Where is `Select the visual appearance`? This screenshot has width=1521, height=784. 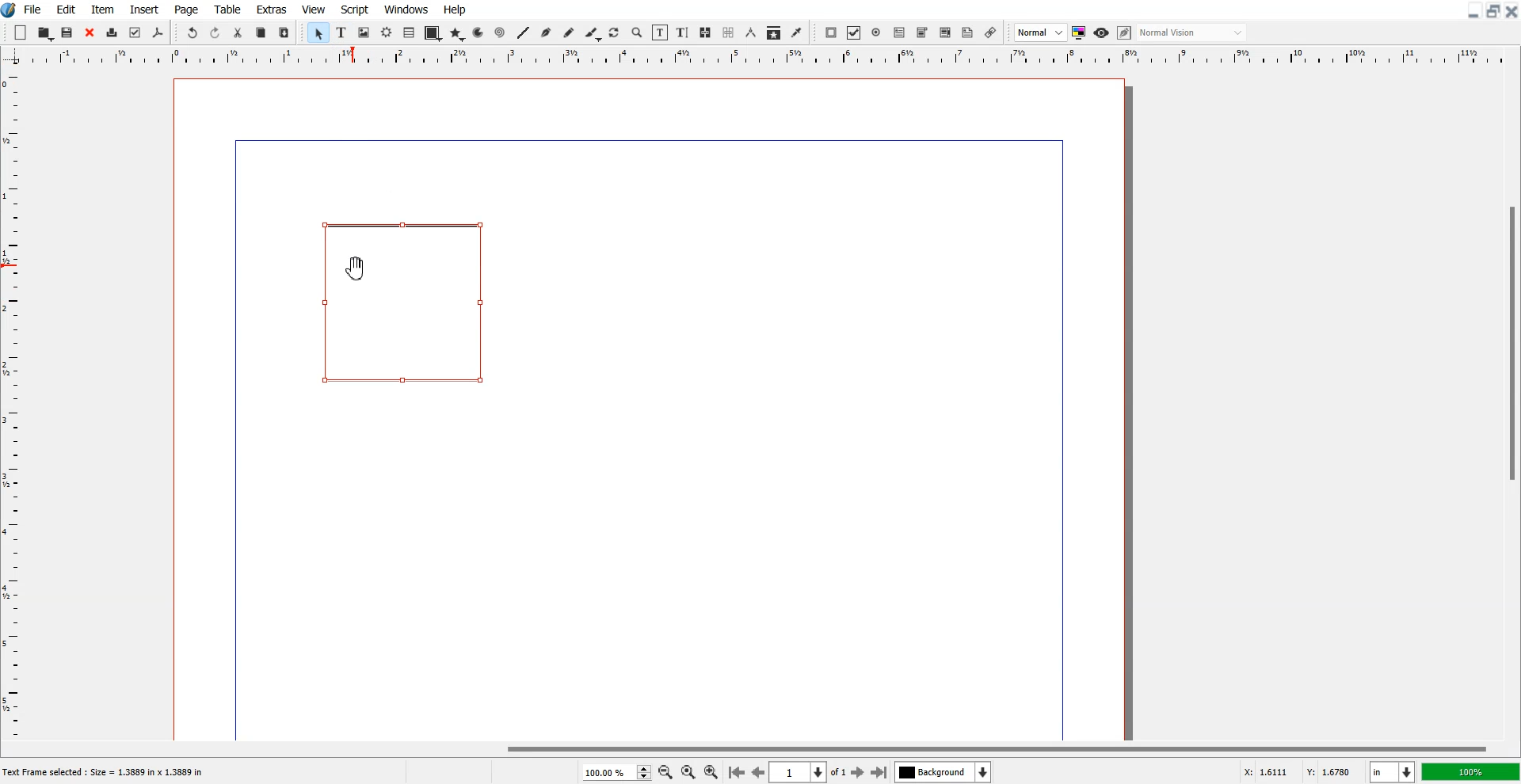 Select the visual appearance is located at coordinates (1191, 32).